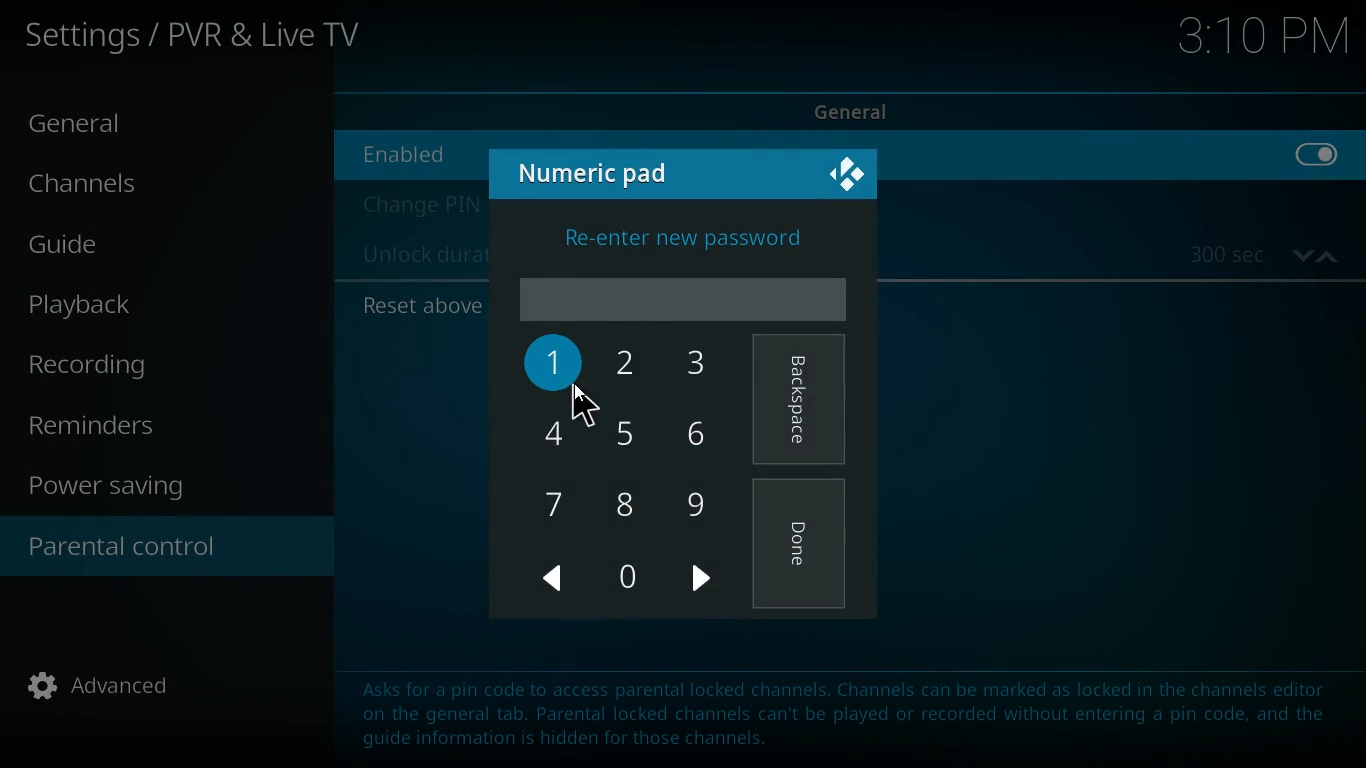 This screenshot has width=1366, height=768. What do you see at coordinates (686, 234) in the screenshot?
I see `enter new password` at bounding box center [686, 234].